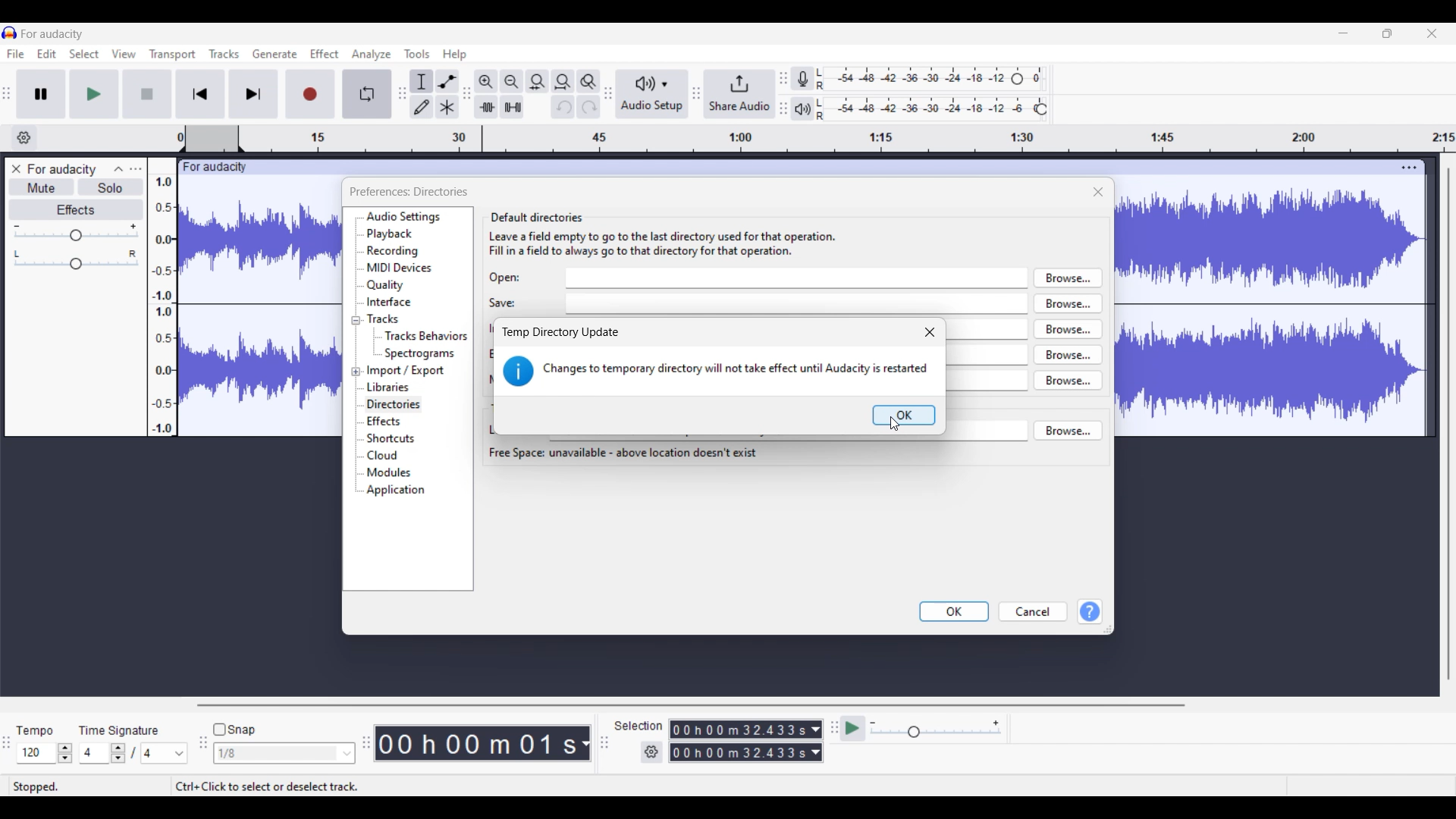 This screenshot has width=1456, height=819. I want to click on close, so click(1099, 191).